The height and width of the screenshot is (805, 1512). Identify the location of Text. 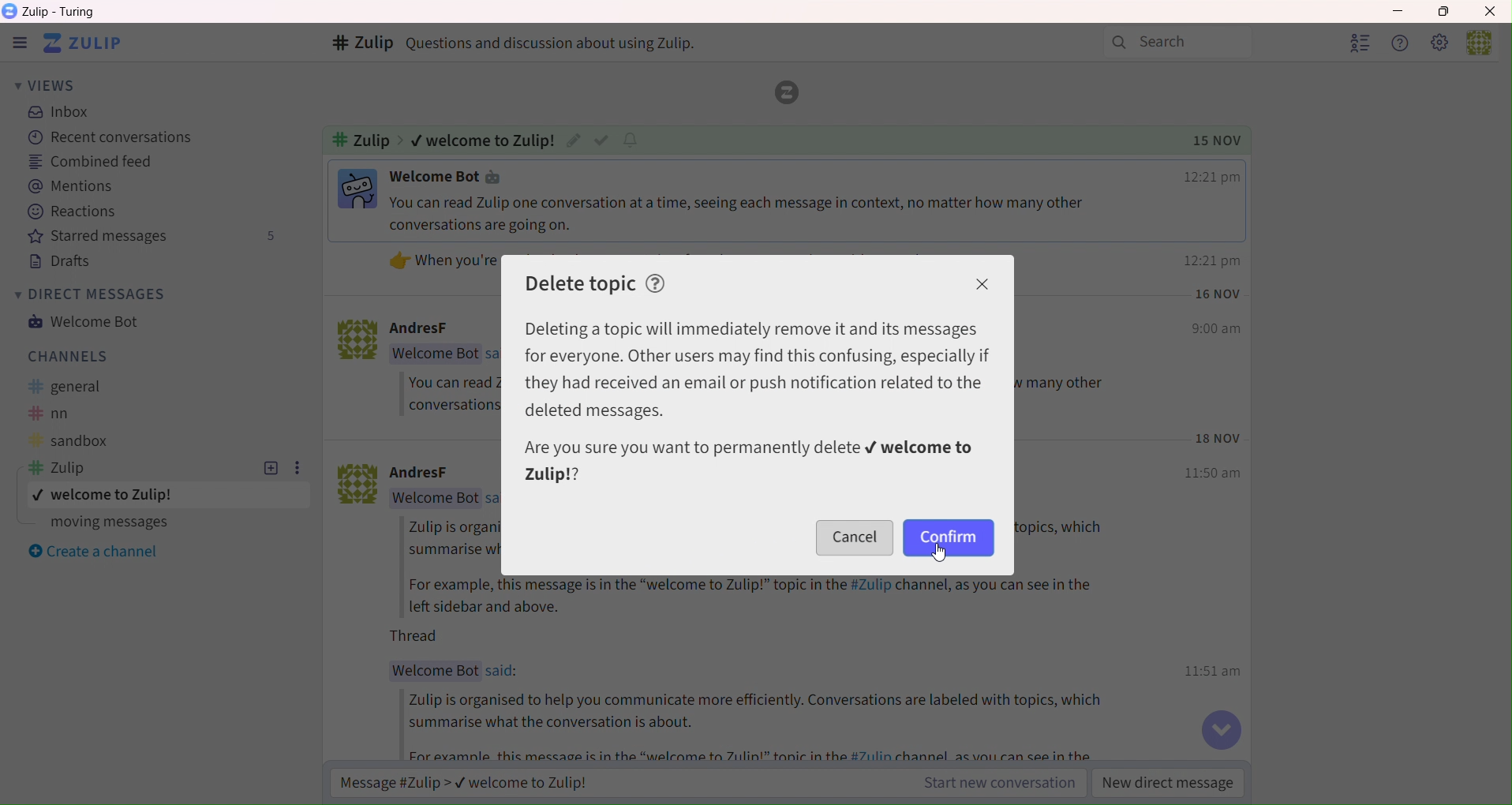
(62, 12).